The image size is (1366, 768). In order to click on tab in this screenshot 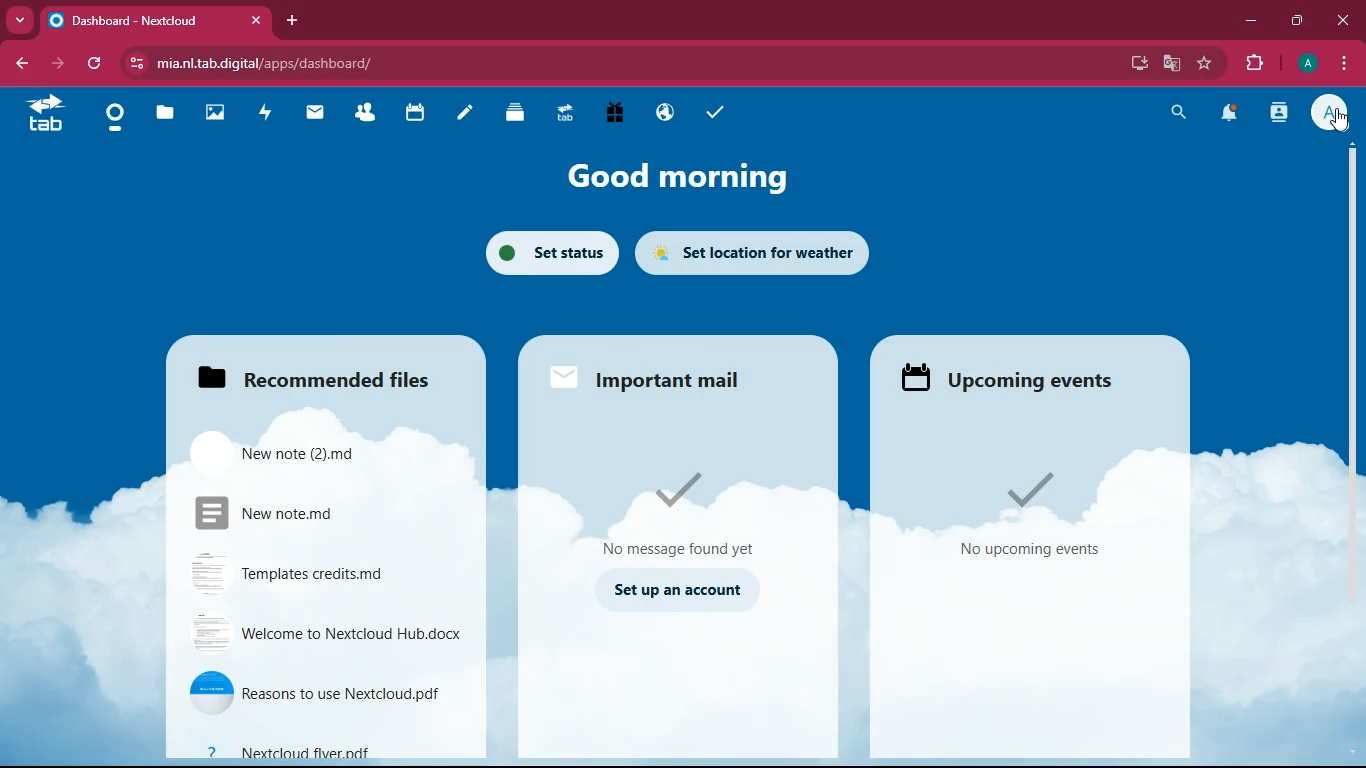, I will do `click(563, 112)`.